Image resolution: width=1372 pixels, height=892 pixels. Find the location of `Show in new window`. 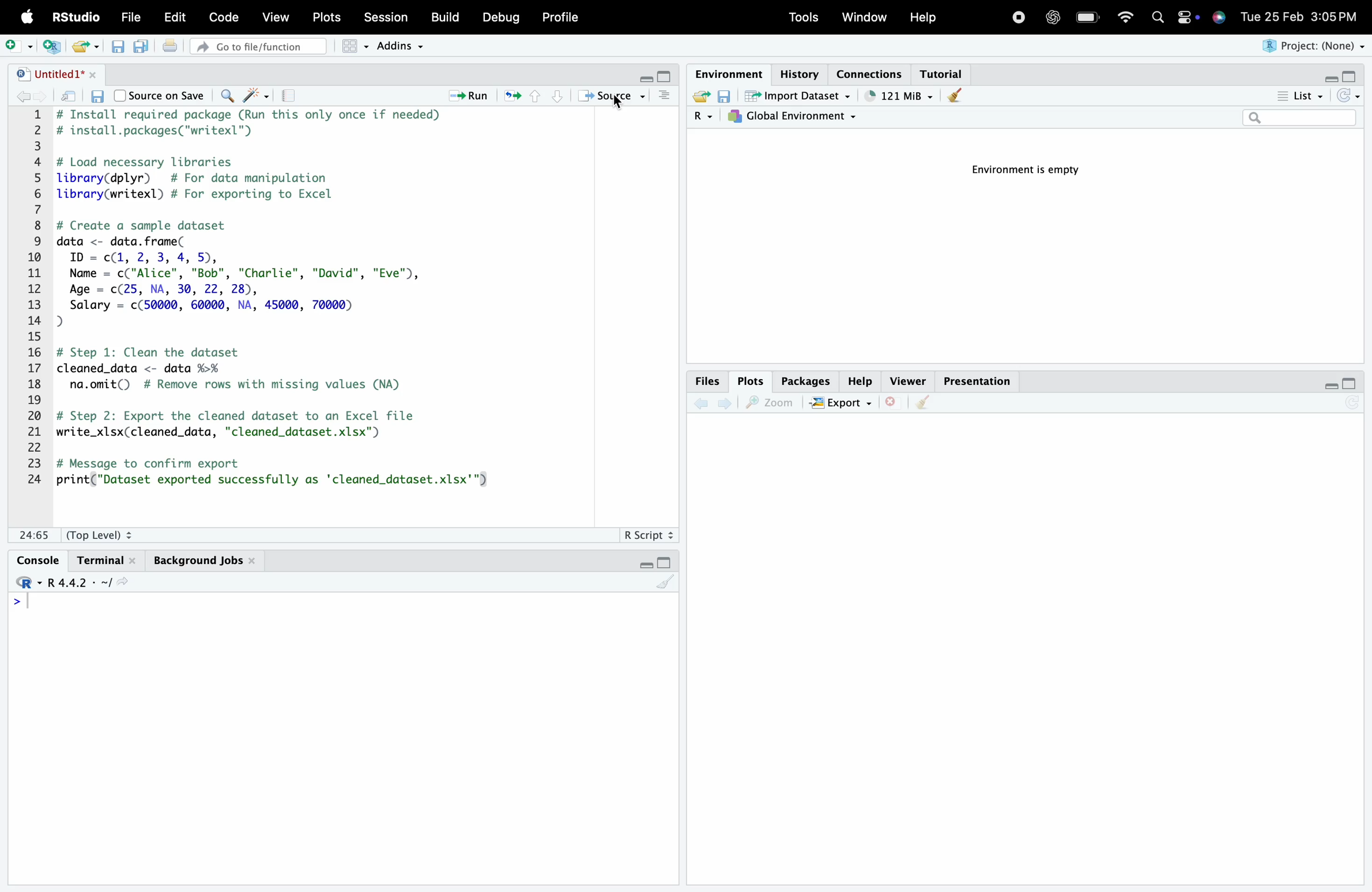

Show in new window is located at coordinates (69, 95).